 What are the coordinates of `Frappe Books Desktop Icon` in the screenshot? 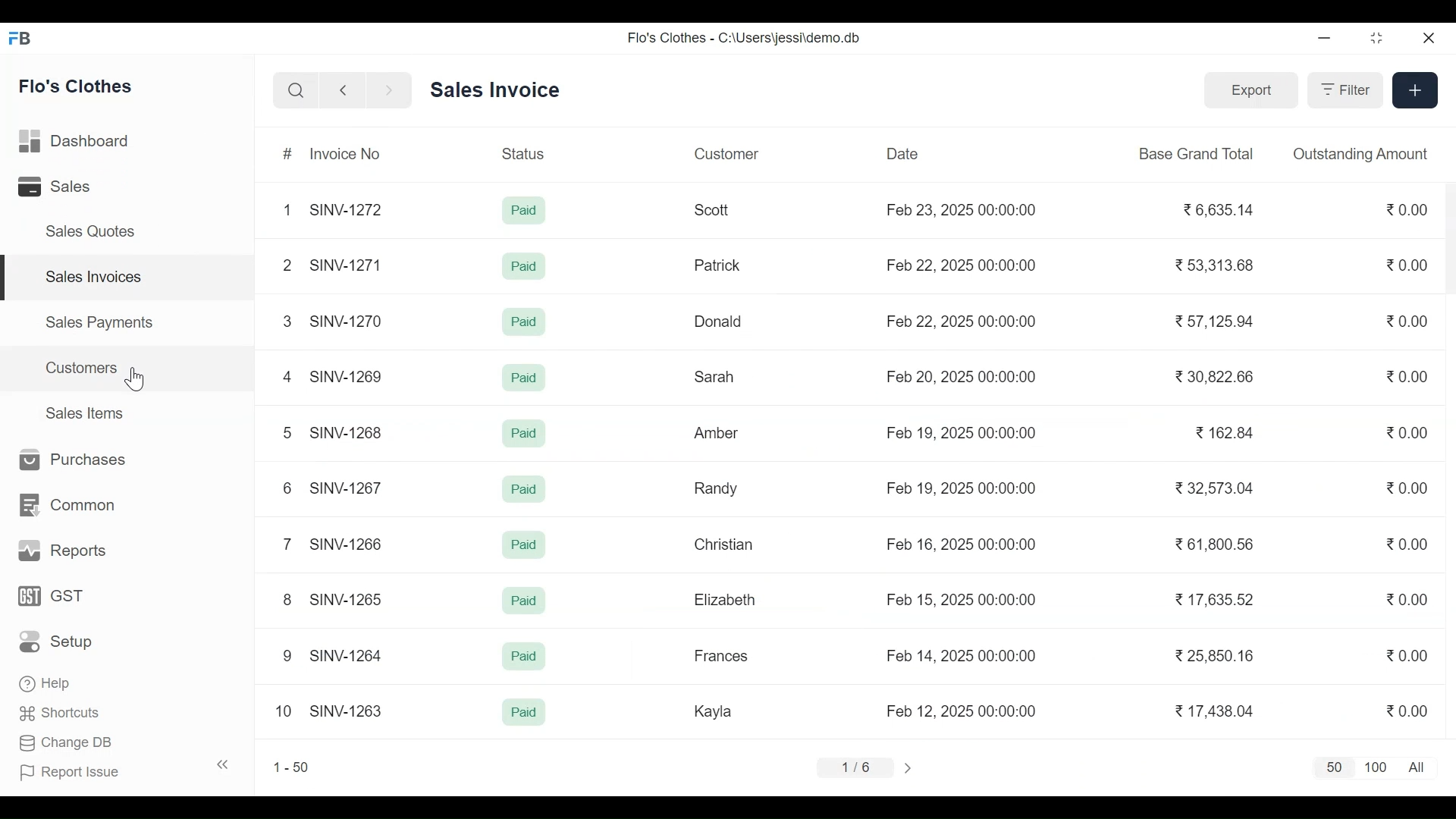 It's located at (18, 39).